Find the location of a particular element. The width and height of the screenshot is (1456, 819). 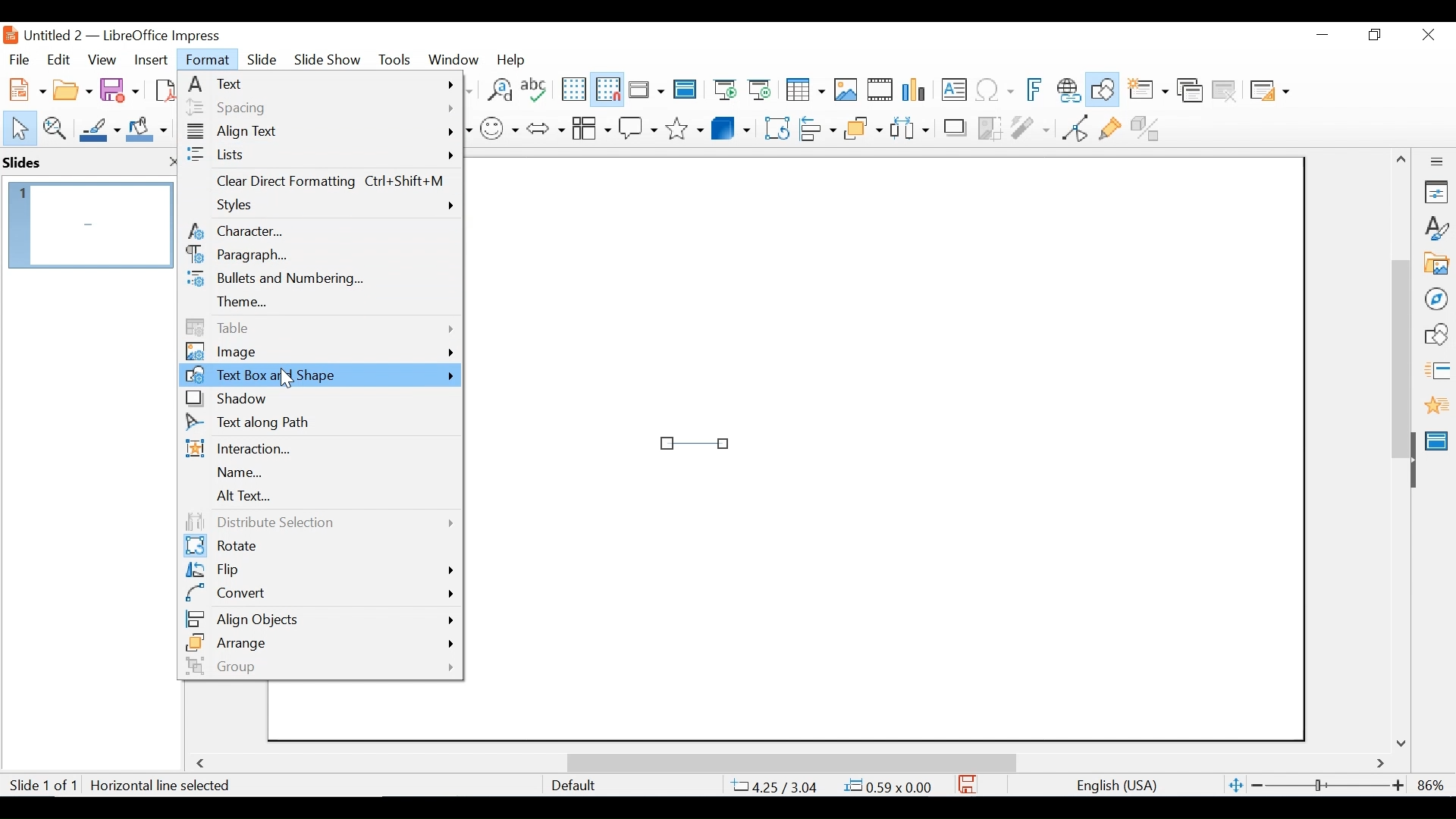

File is located at coordinates (19, 58).